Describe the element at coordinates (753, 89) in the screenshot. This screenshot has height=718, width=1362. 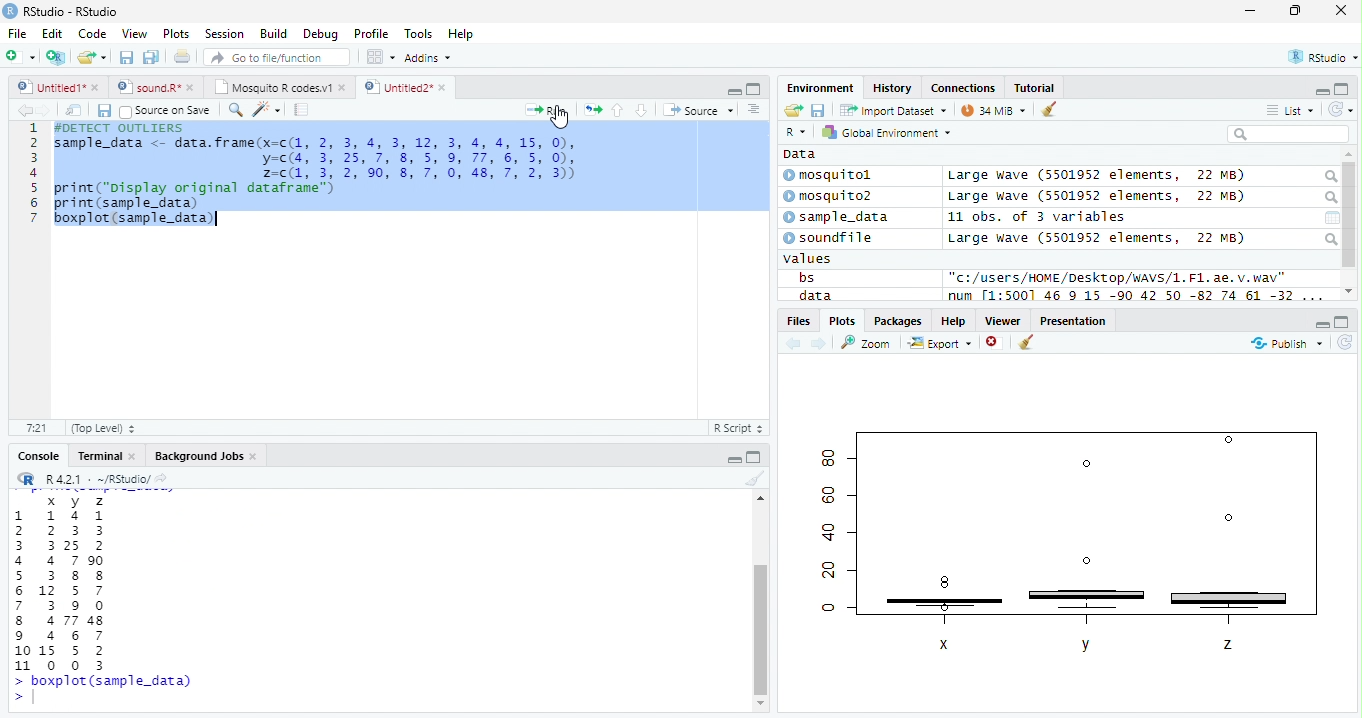
I see `Full screen` at that location.